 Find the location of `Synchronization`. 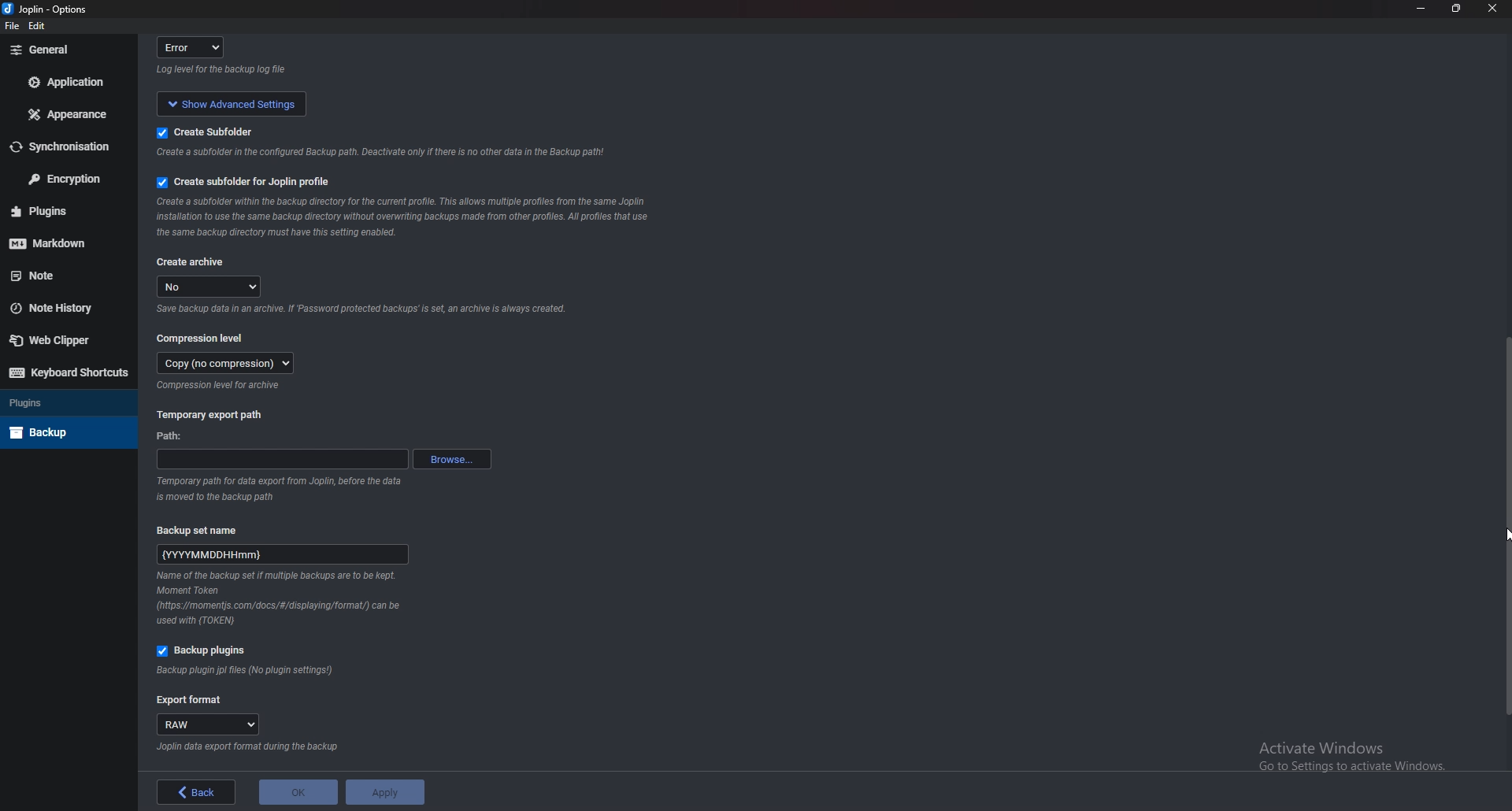

Synchronization is located at coordinates (62, 147).